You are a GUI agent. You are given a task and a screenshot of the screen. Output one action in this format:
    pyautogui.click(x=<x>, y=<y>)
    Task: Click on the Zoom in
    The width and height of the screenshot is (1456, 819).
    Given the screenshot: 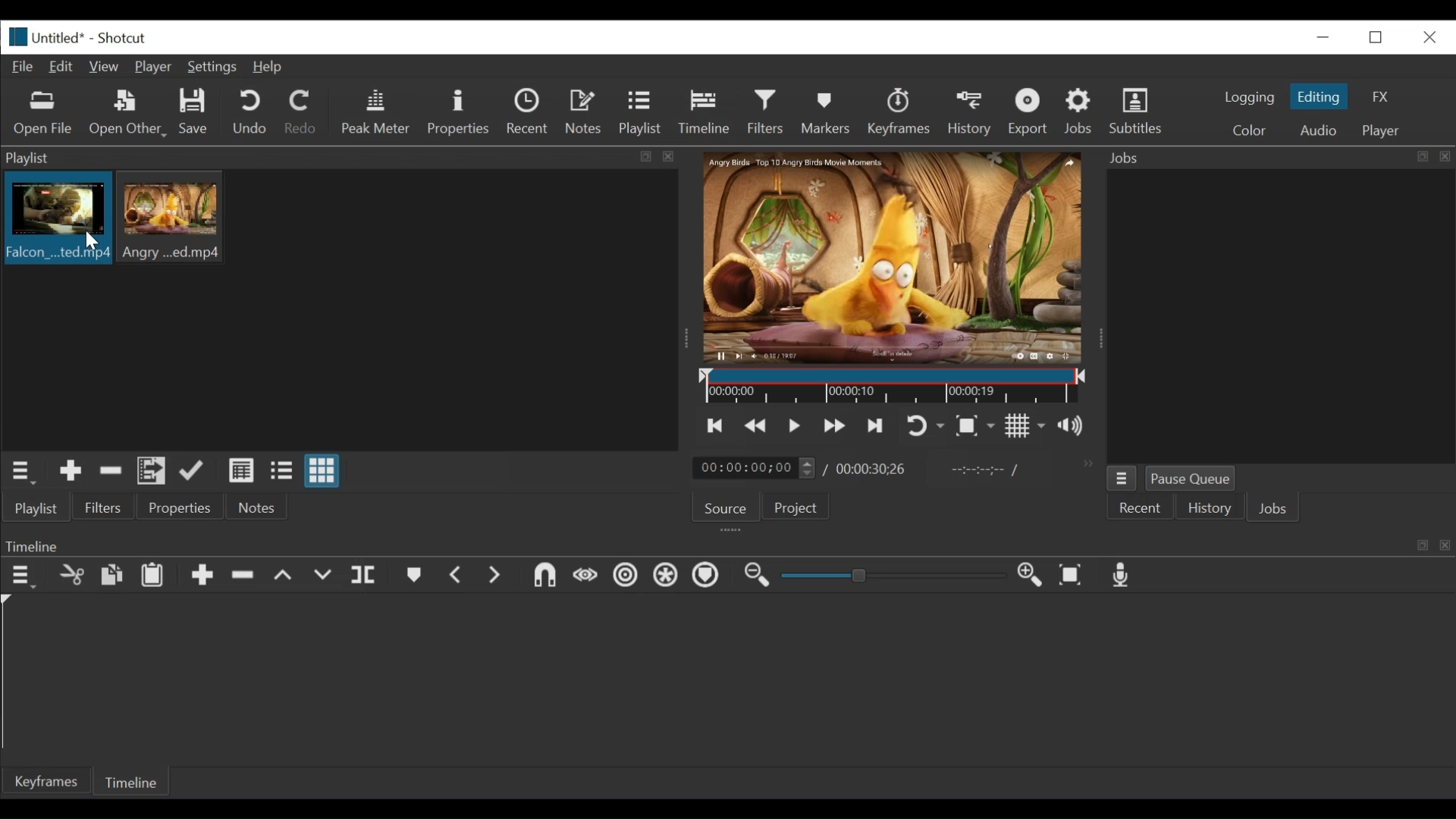 What is the action you would take?
    pyautogui.click(x=1032, y=576)
    